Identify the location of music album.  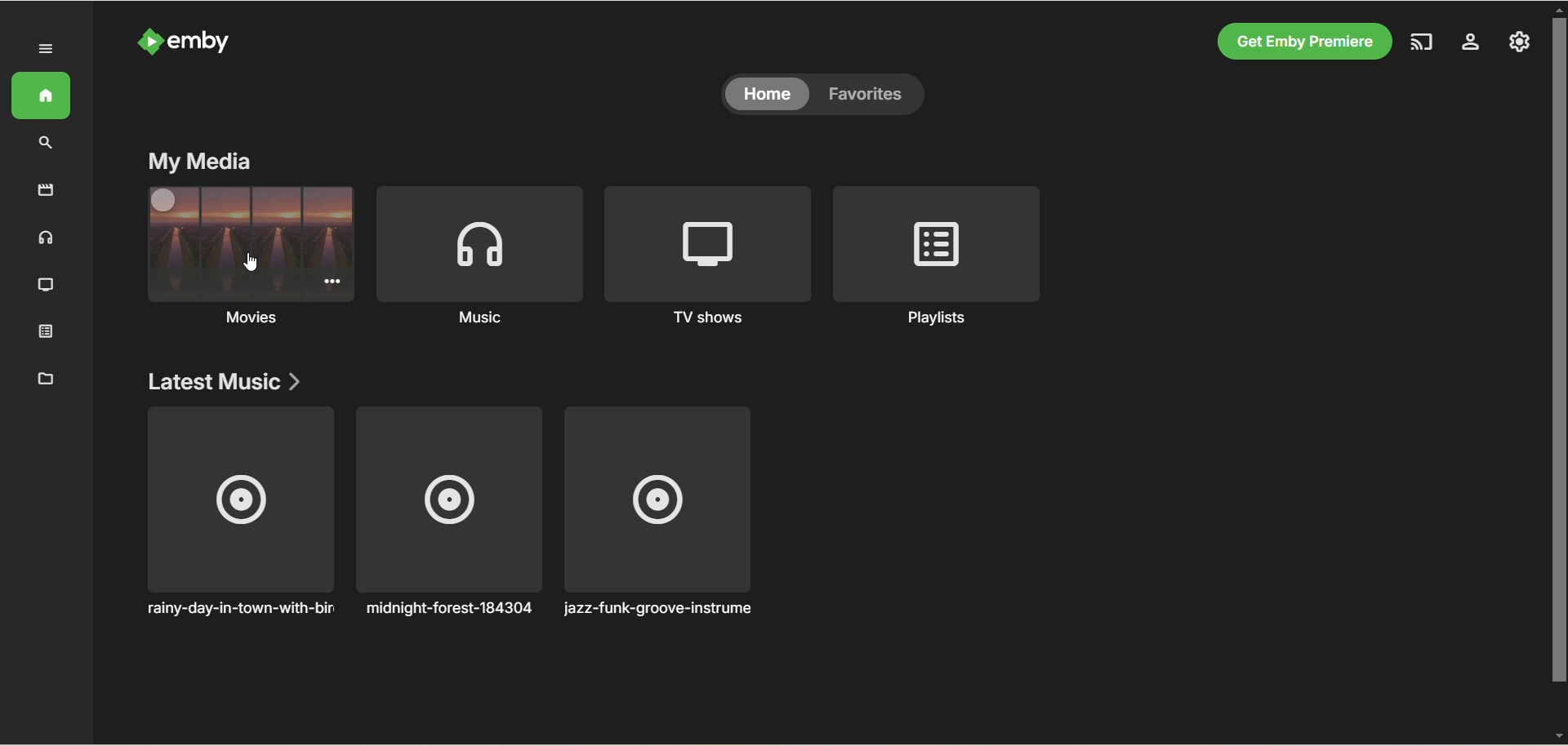
(657, 513).